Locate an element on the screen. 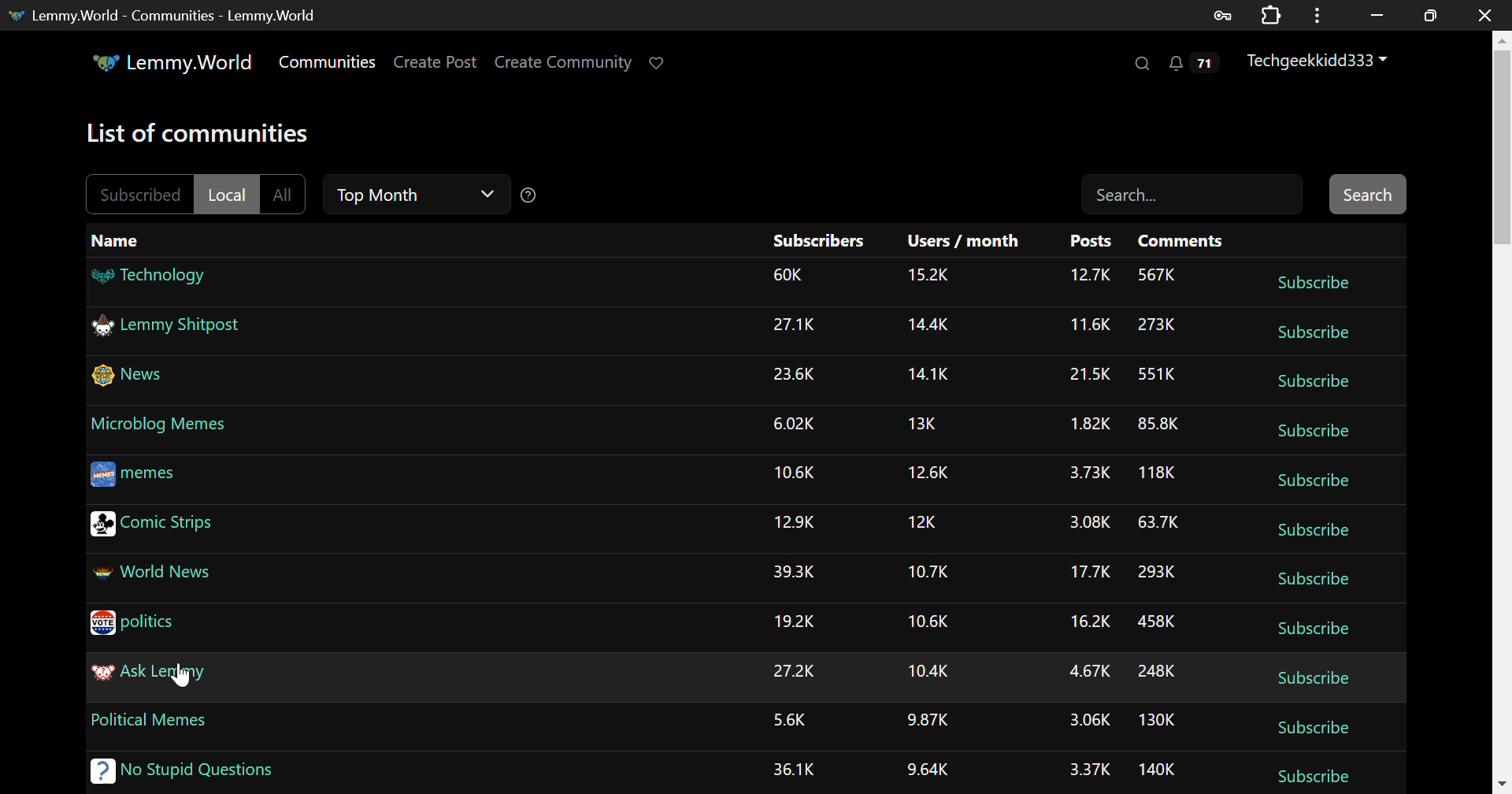  Amount is located at coordinates (932, 577).